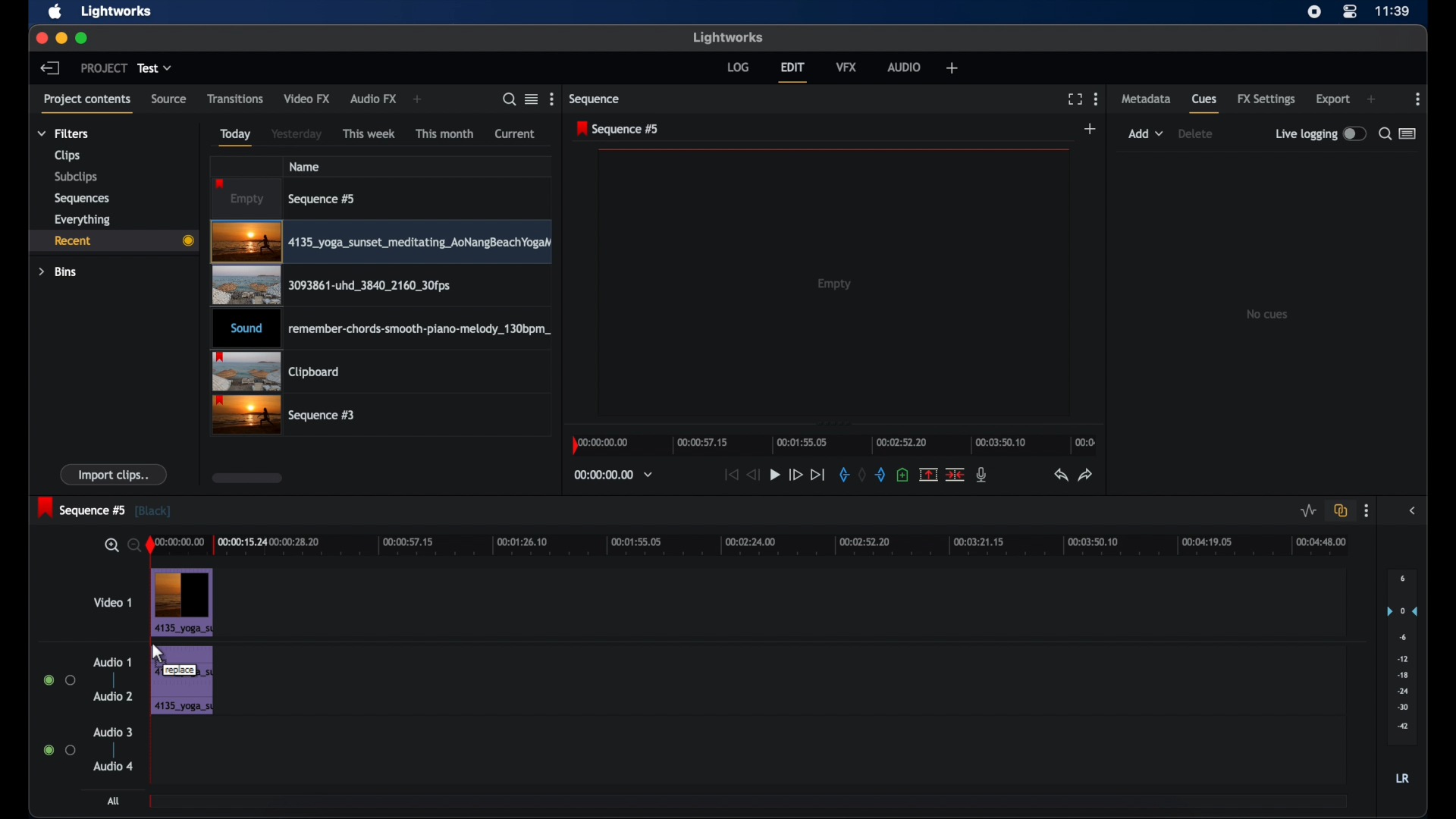  What do you see at coordinates (67, 155) in the screenshot?
I see `clips` at bounding box center [67, 155].